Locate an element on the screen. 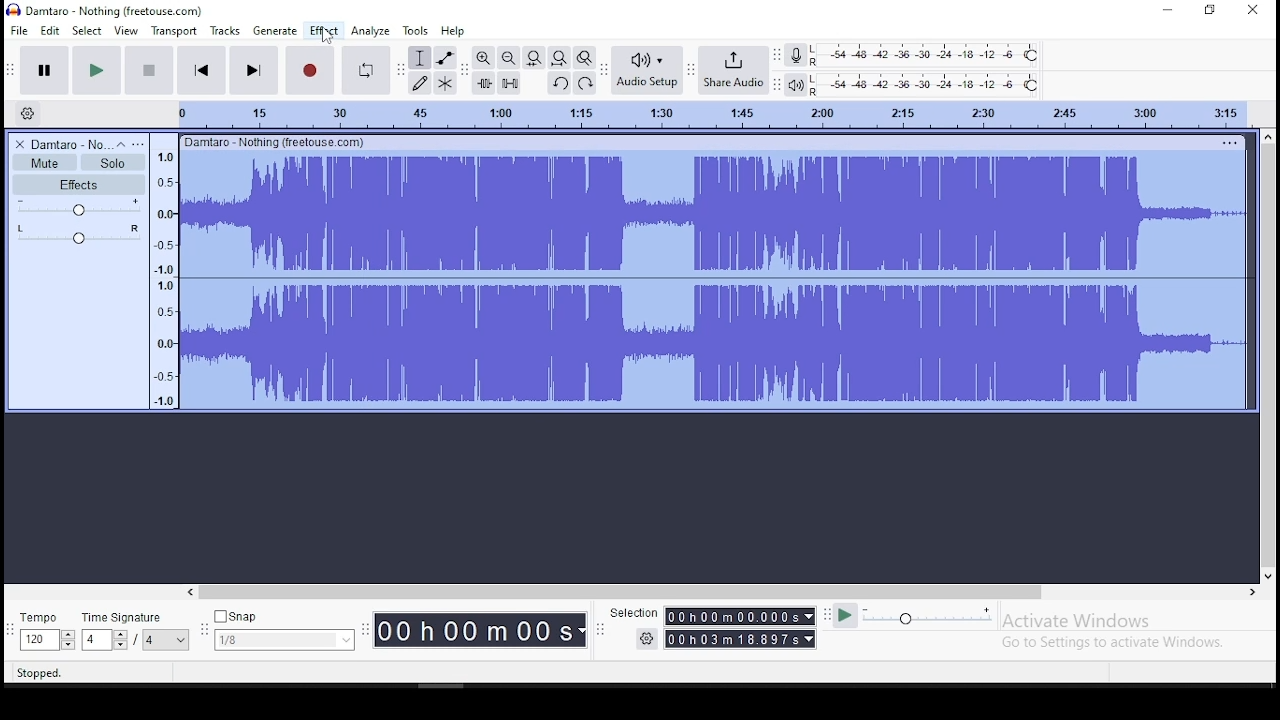 This screenshot has width=1280, height=720. pause is located at coordinates (46, 69).